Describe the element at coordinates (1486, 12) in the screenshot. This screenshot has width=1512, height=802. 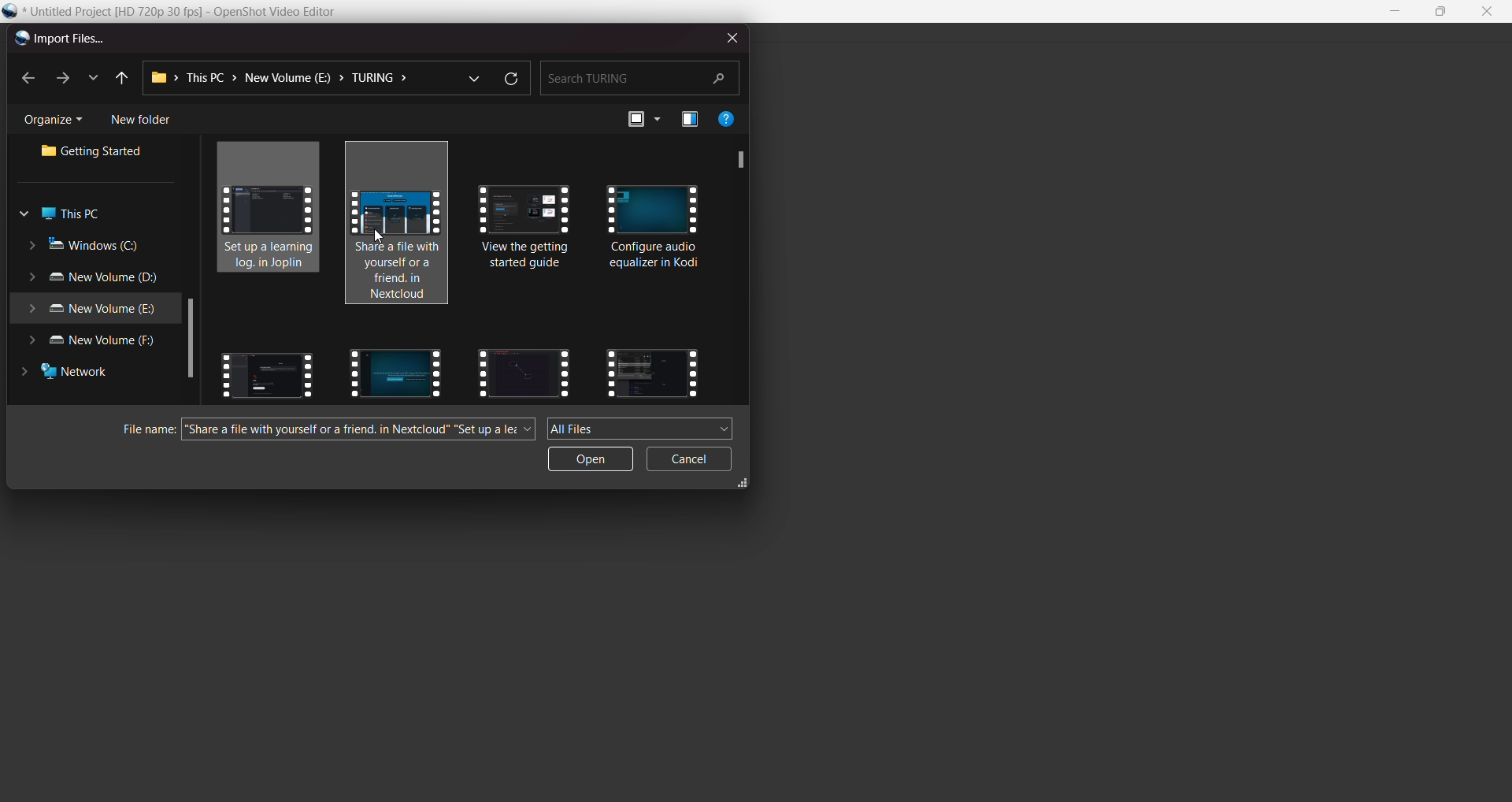
I see `close` at that location.